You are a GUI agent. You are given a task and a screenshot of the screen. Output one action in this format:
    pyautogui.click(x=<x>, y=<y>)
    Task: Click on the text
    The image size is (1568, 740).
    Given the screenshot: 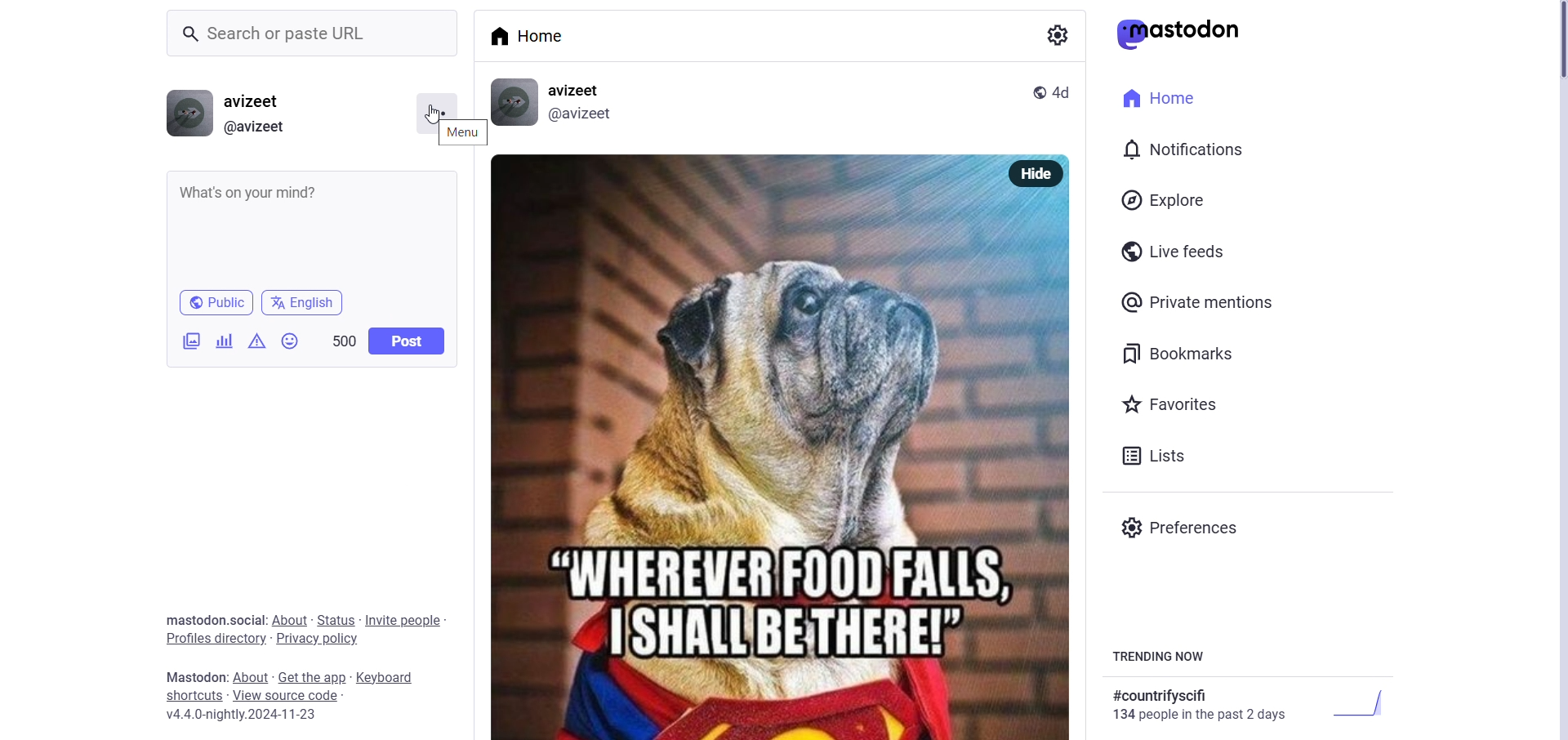 What is the action you would take?
    pyautogui.click(x=1053, y=34)
    